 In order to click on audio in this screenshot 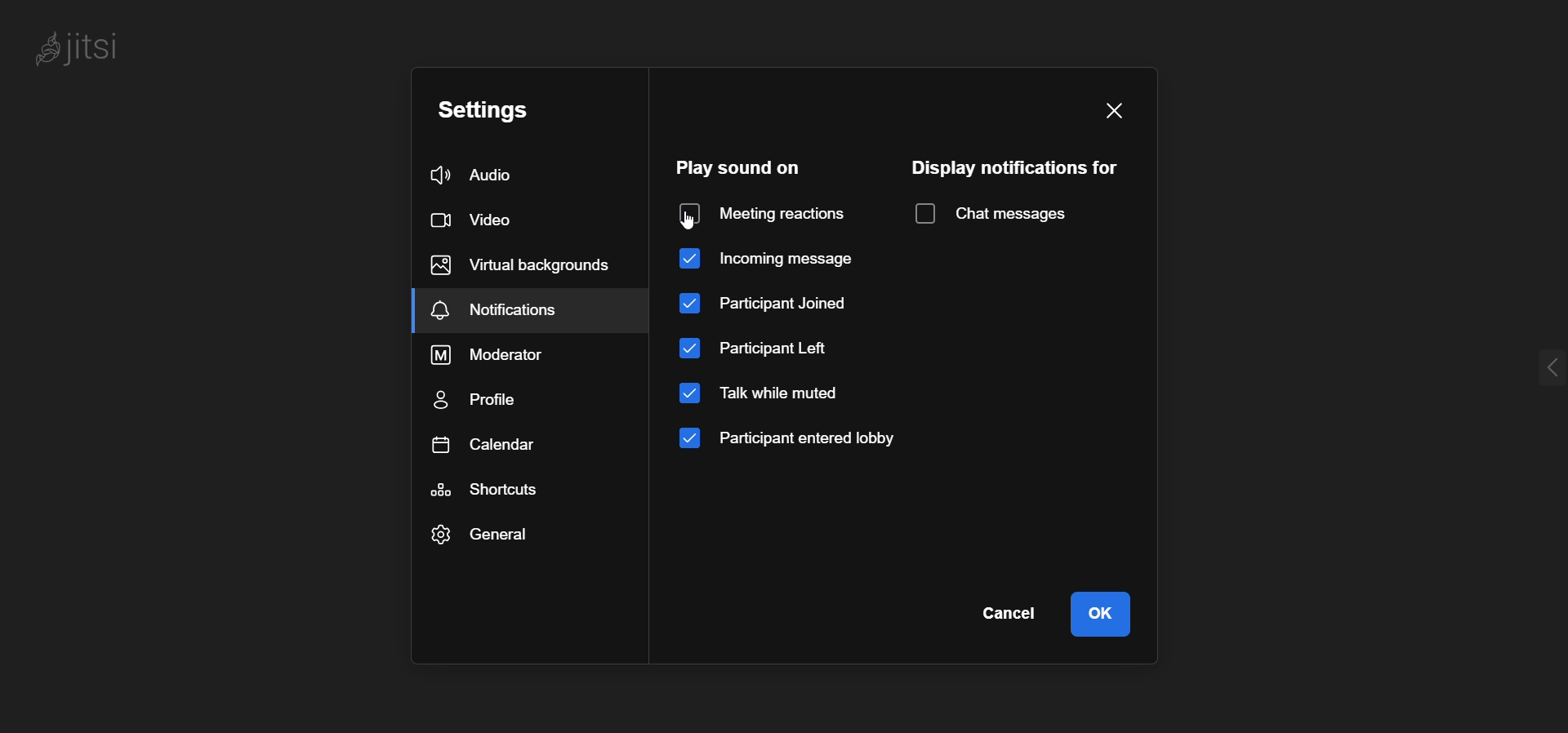, I will do `click(475, 174)`.